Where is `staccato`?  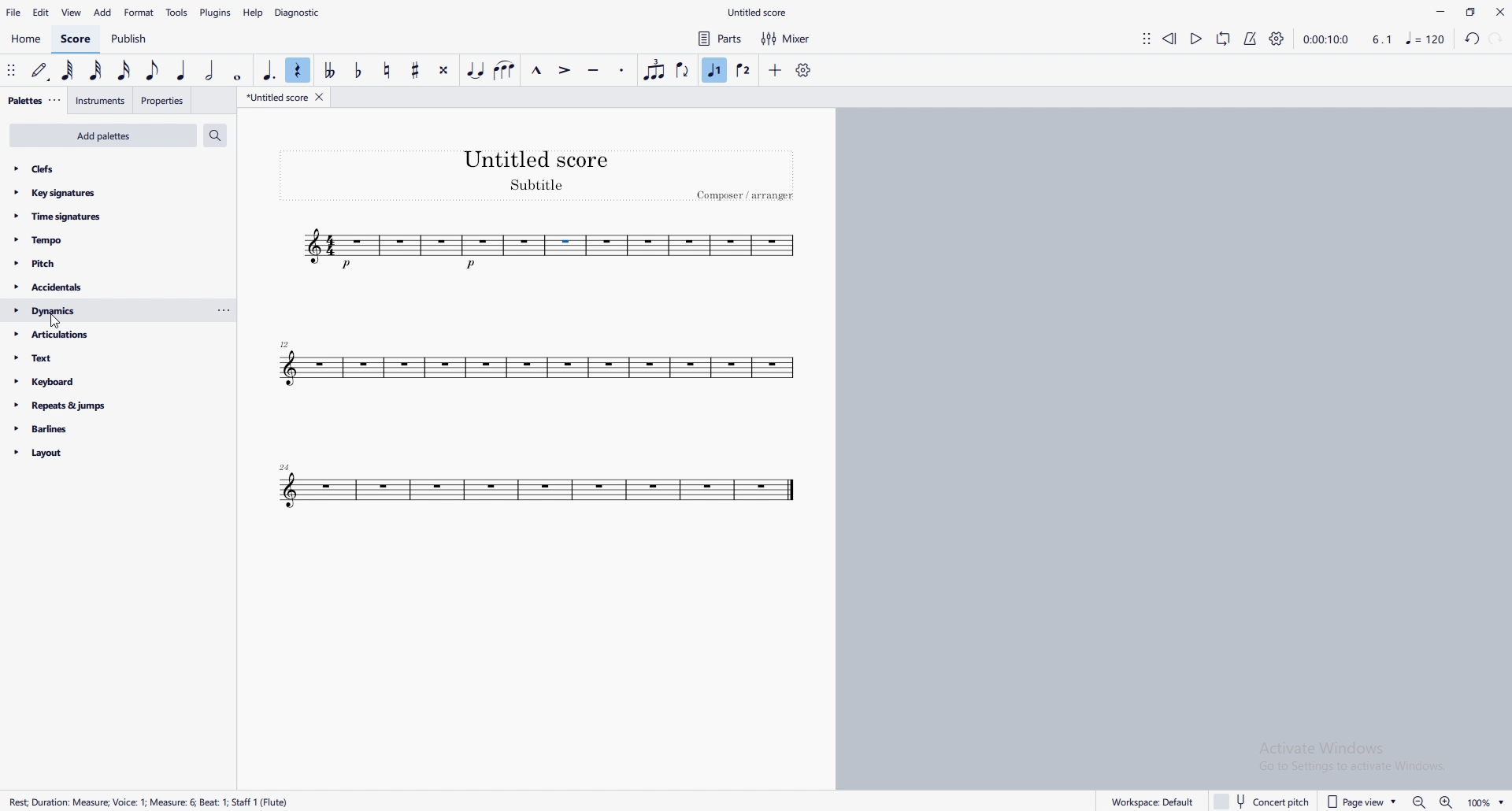 staccato is located at coordinates (621, 70).